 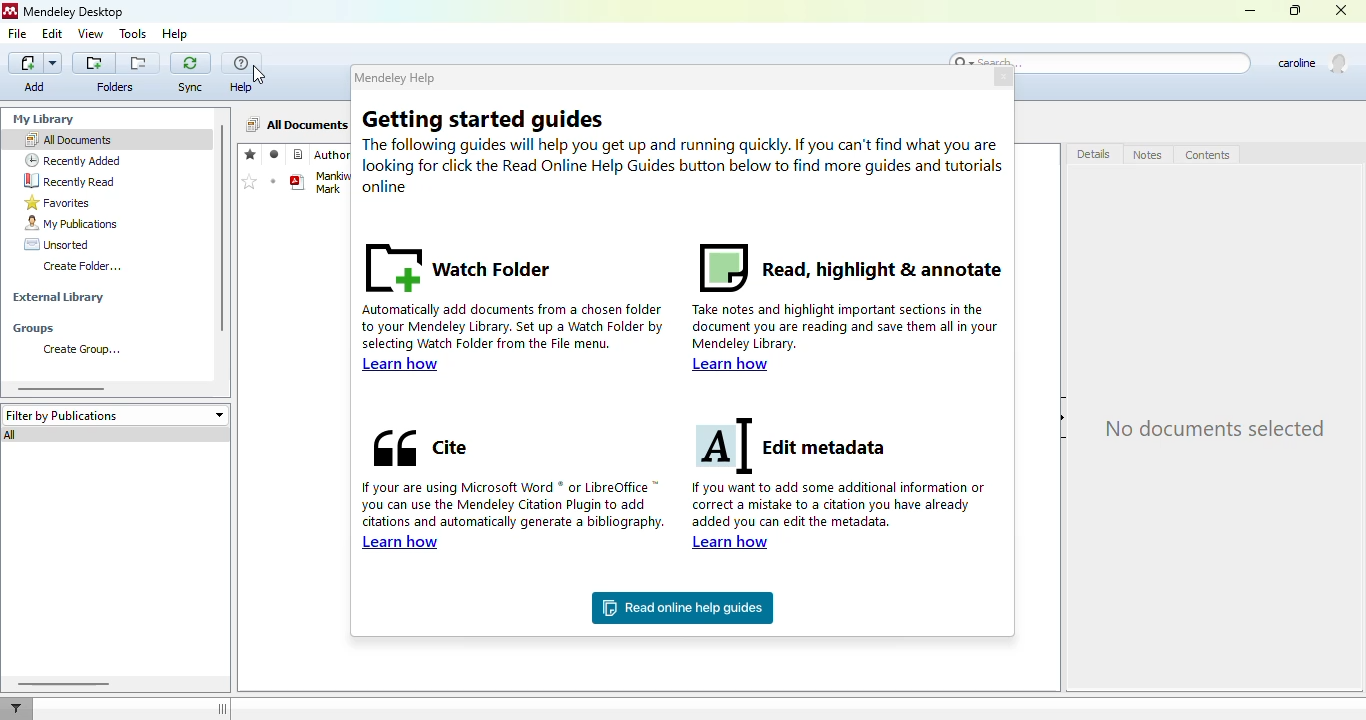 What do you see at coordinates (298, 182) in the screenshot?
I see `book` at bounding box center [298, 182].